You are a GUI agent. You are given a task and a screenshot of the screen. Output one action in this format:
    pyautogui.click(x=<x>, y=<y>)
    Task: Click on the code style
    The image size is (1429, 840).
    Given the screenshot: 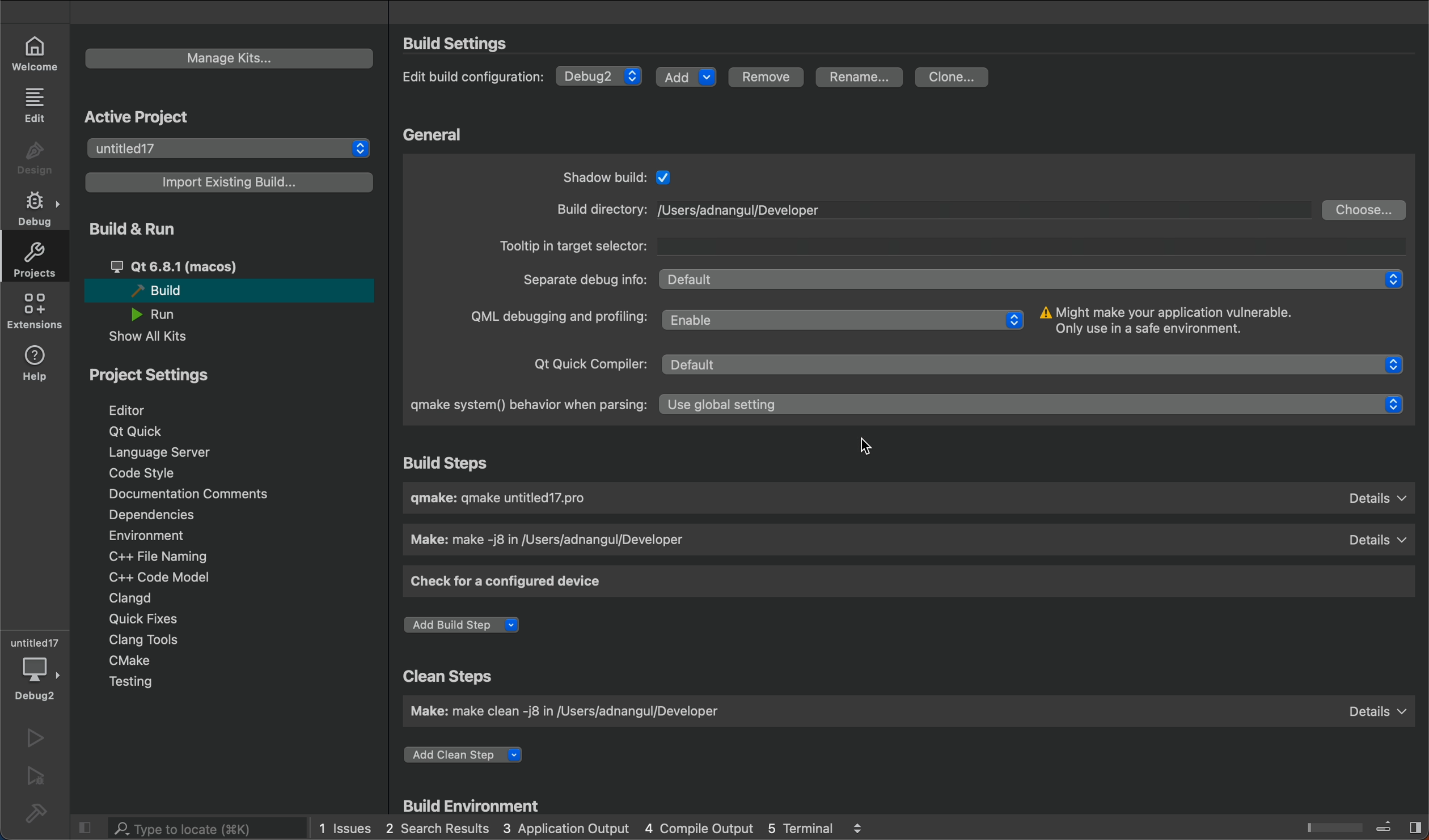 What is the action you would take?
    pyautogui.click(x=151, y=475)
    